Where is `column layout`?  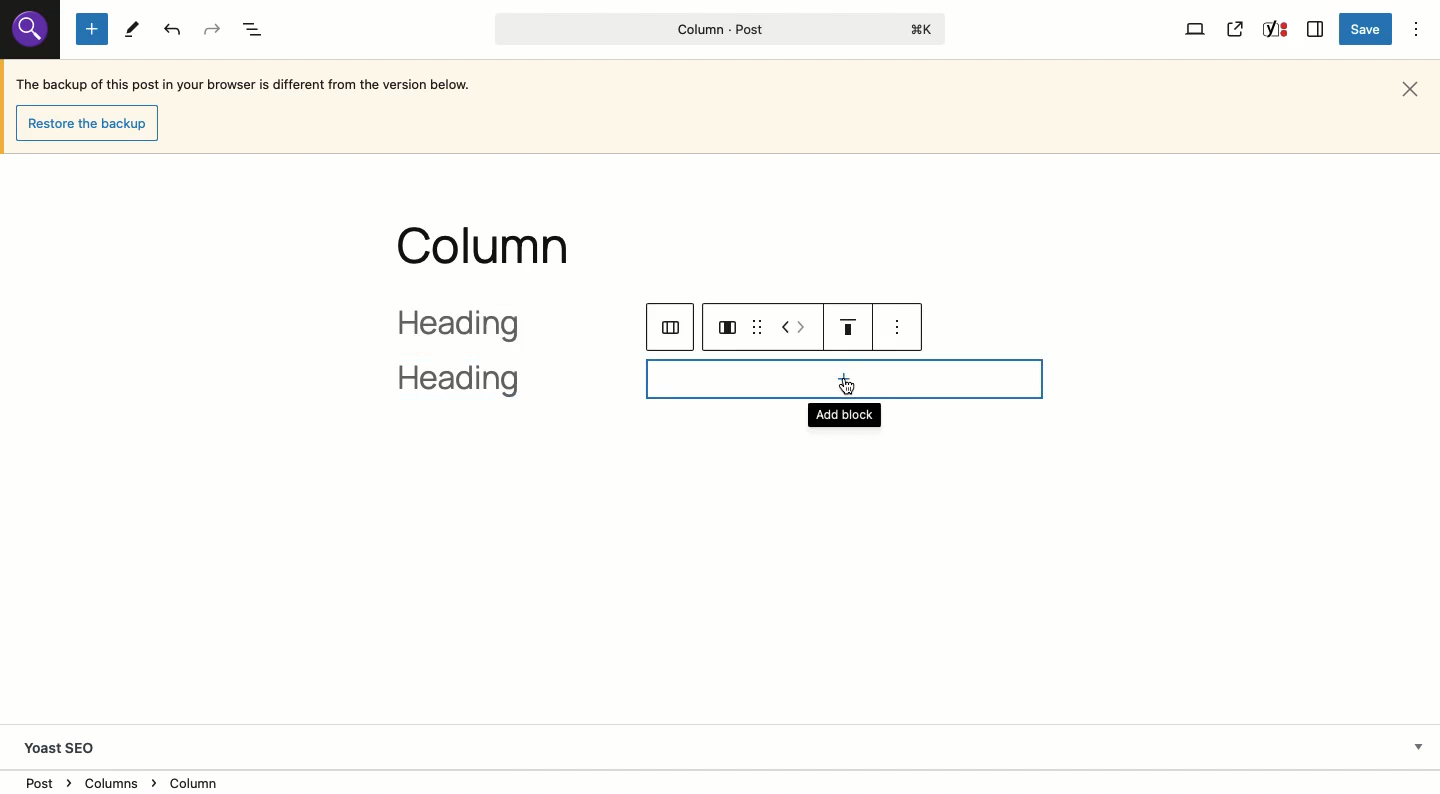 column layout is located at coordinates (725, 331).